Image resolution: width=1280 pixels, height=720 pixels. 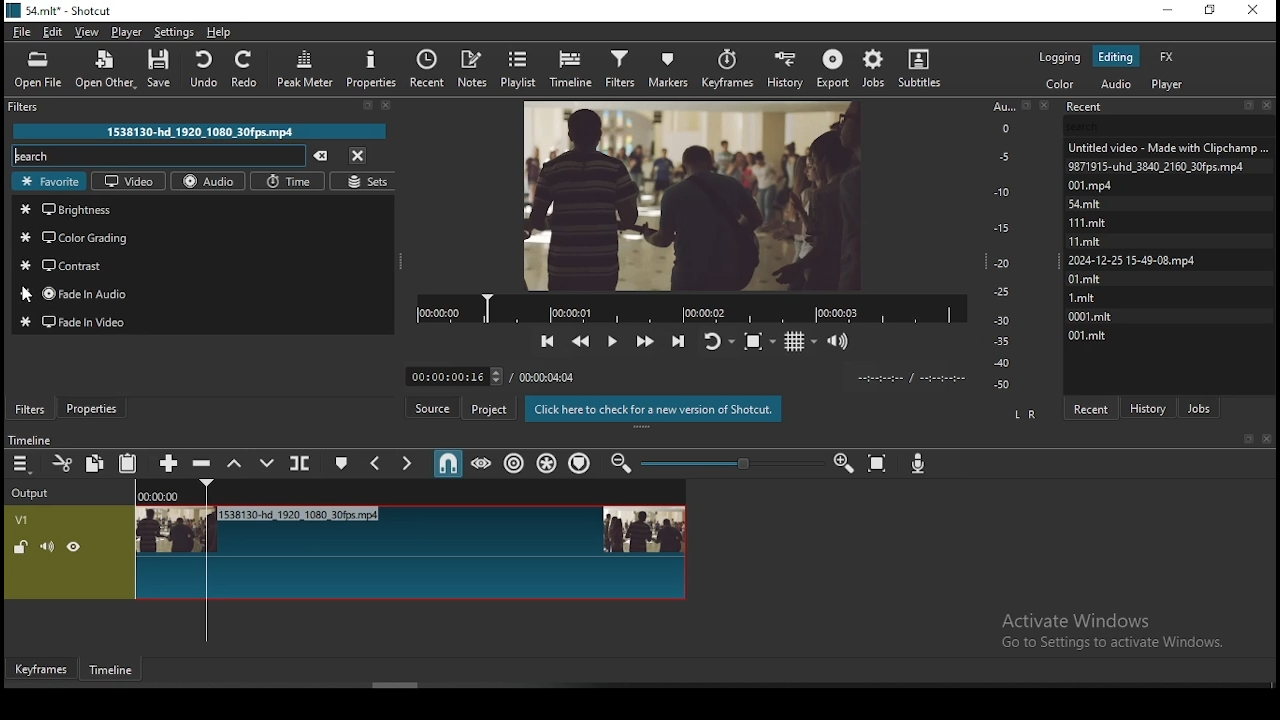 What do you see at coordinates (572, 68) in the screenshot?
I see `timeline` at bounding box center [572, 68].